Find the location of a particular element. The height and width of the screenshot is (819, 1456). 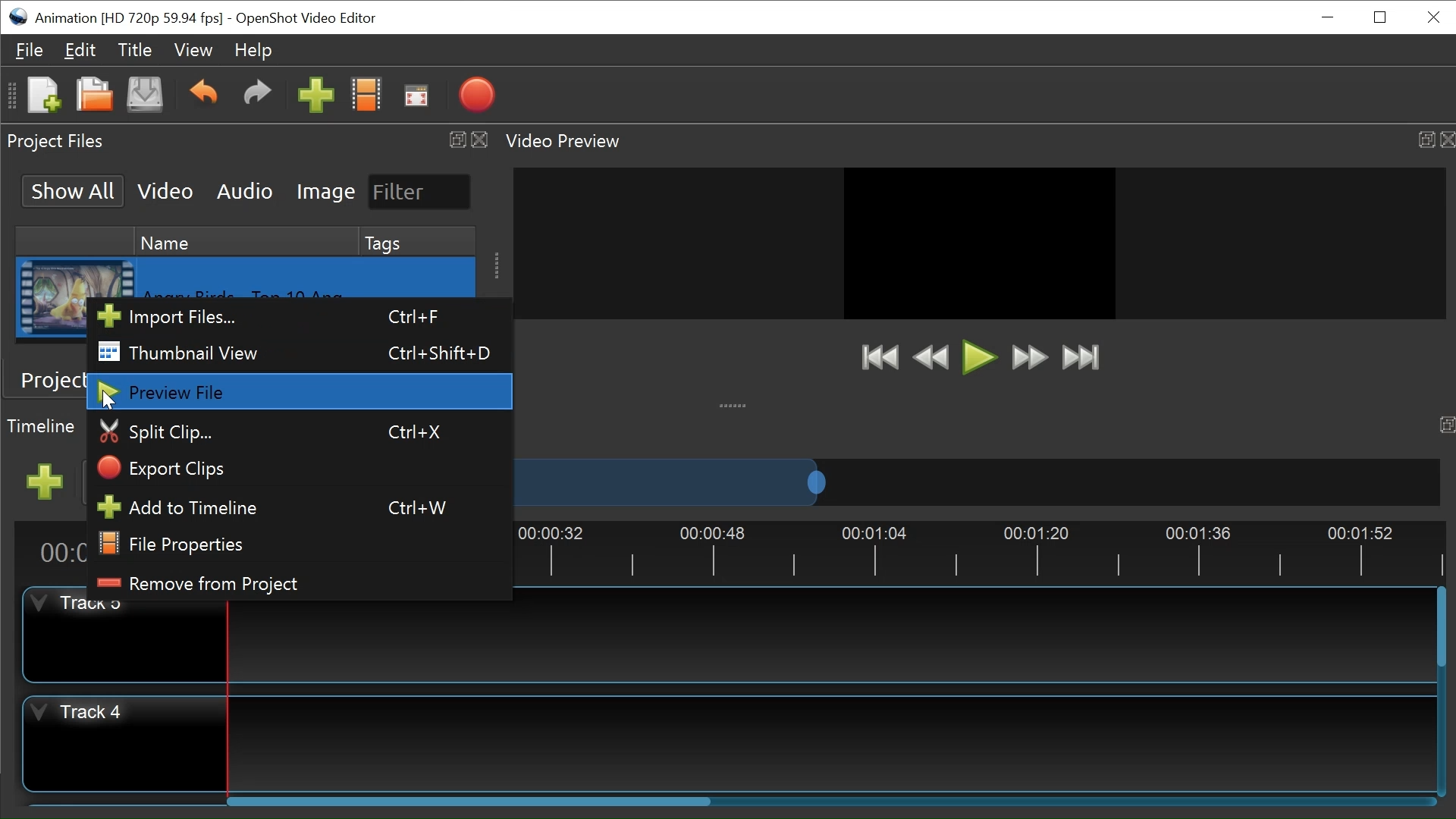

Jump To End is located at coordinates (1081, 359).